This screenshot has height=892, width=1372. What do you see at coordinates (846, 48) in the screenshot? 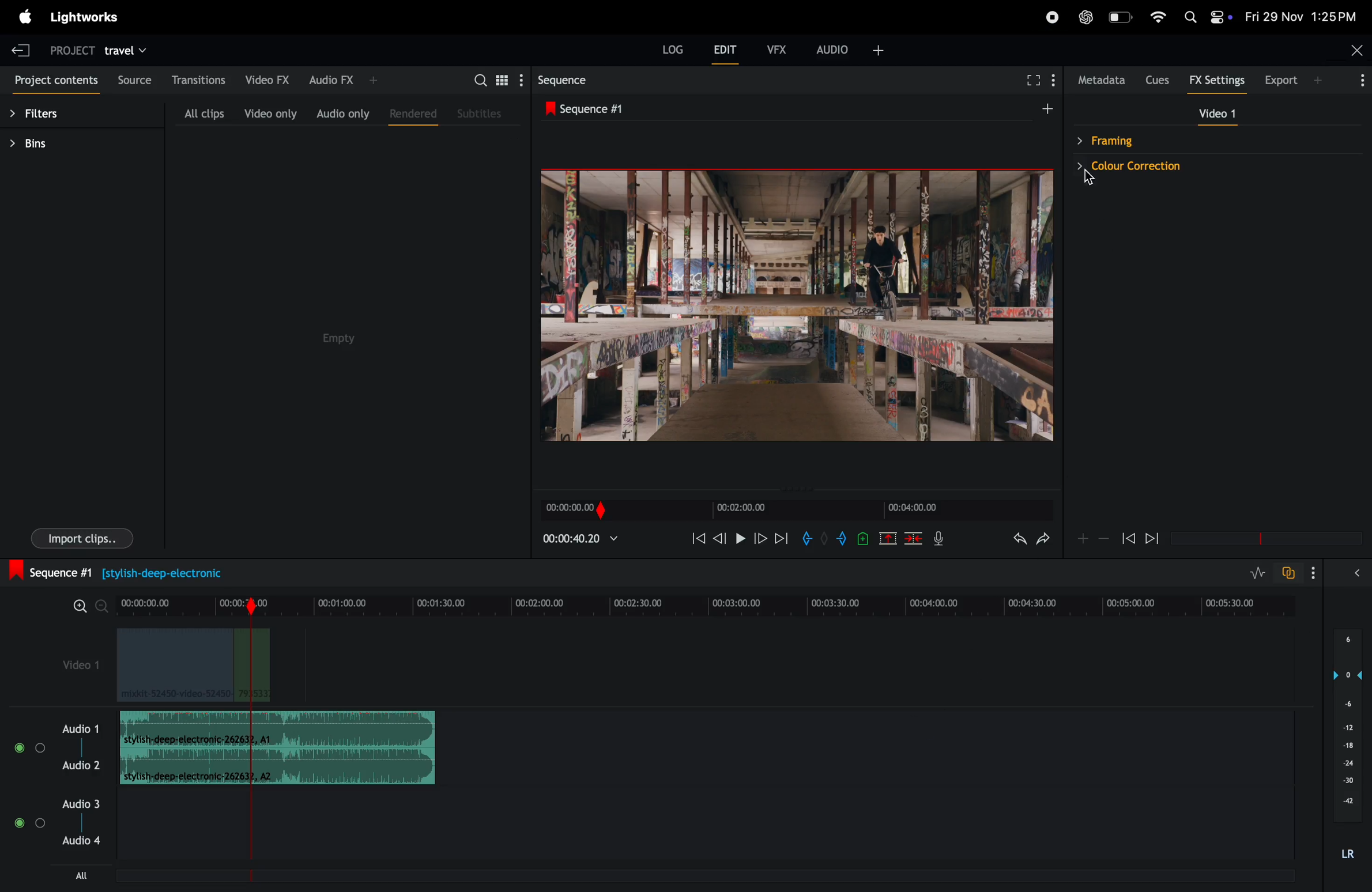
I see `` at bounding box center [846, 48].